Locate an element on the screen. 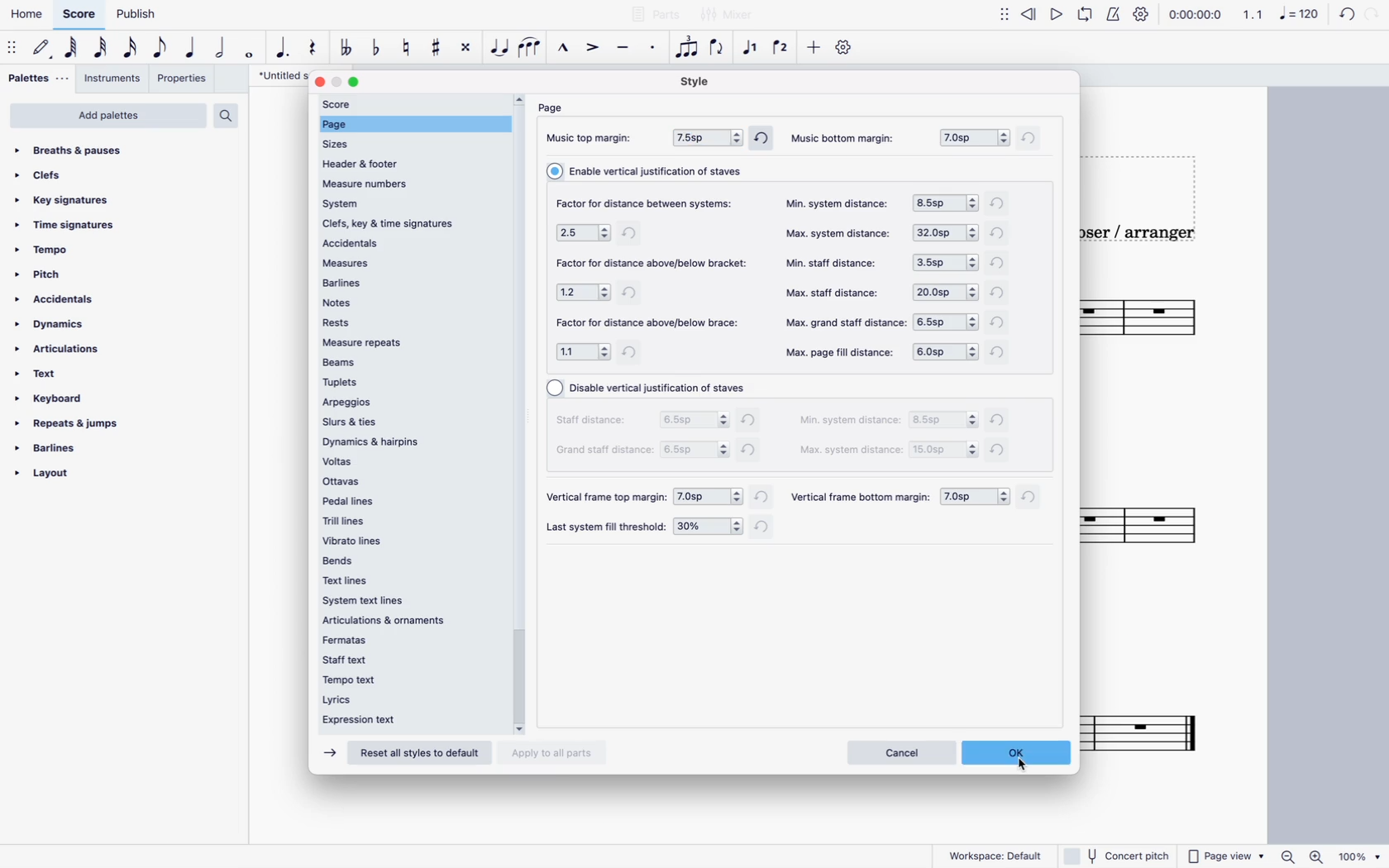 Image resolution: width=1389 pixels, height=868 pixels. refresh is located at coordinates (753, 453).